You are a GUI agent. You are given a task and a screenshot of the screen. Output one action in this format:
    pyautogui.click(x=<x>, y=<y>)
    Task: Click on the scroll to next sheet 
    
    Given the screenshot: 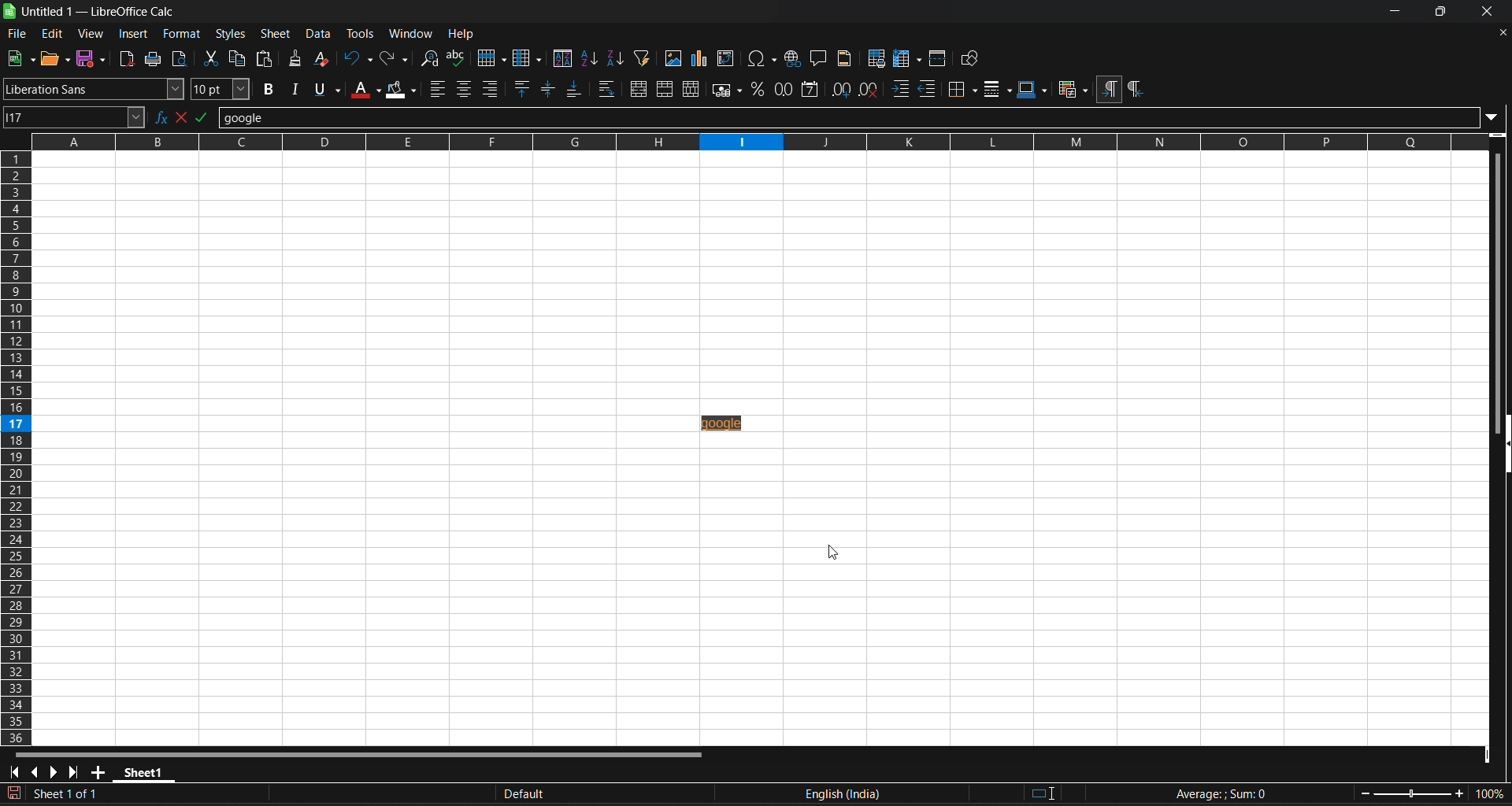 What is the action you would take?
    pyautogui.click(x=53, y=773)
    